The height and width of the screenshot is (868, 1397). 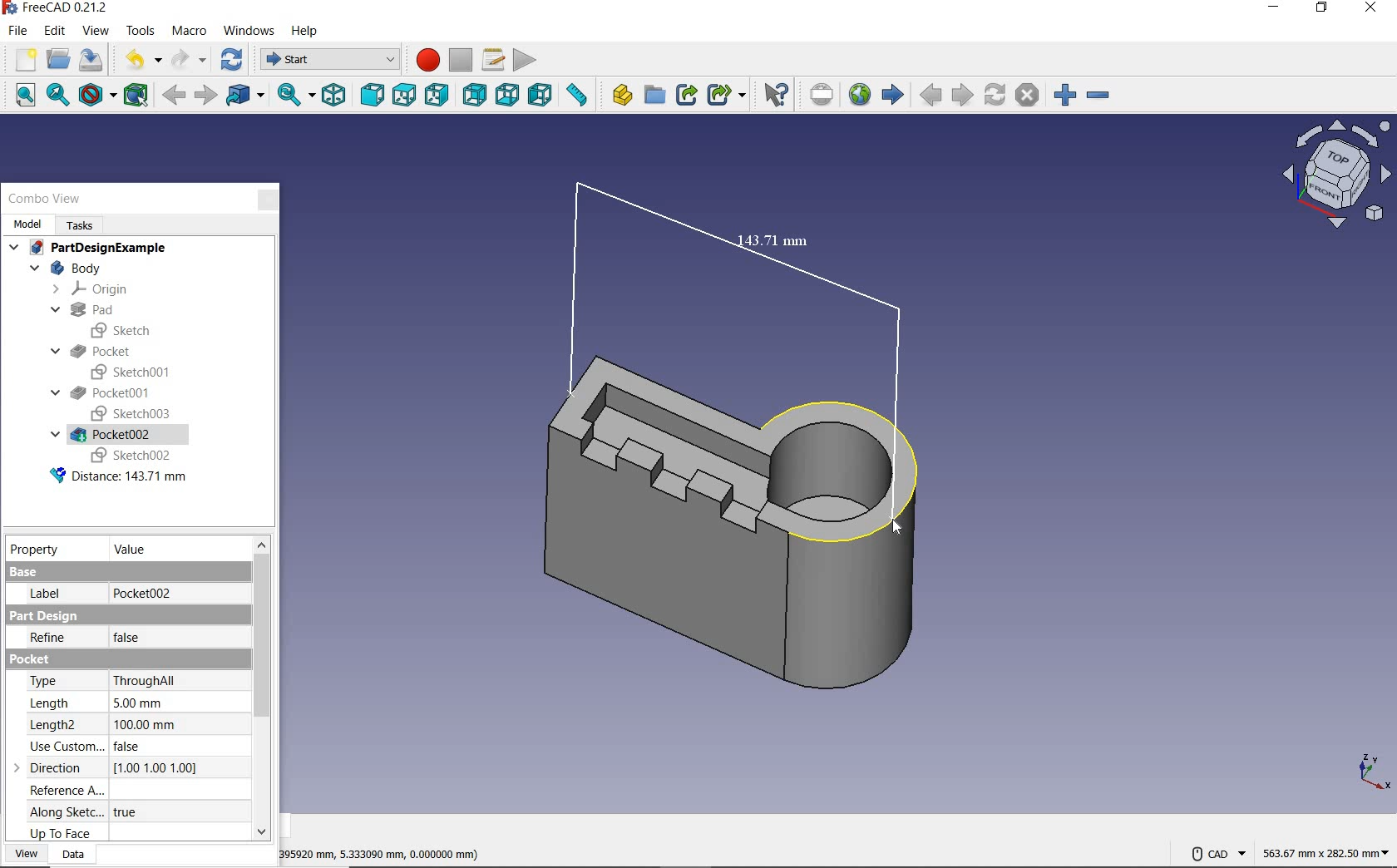 I want to click on pocket002, so click(x=143, y=595).